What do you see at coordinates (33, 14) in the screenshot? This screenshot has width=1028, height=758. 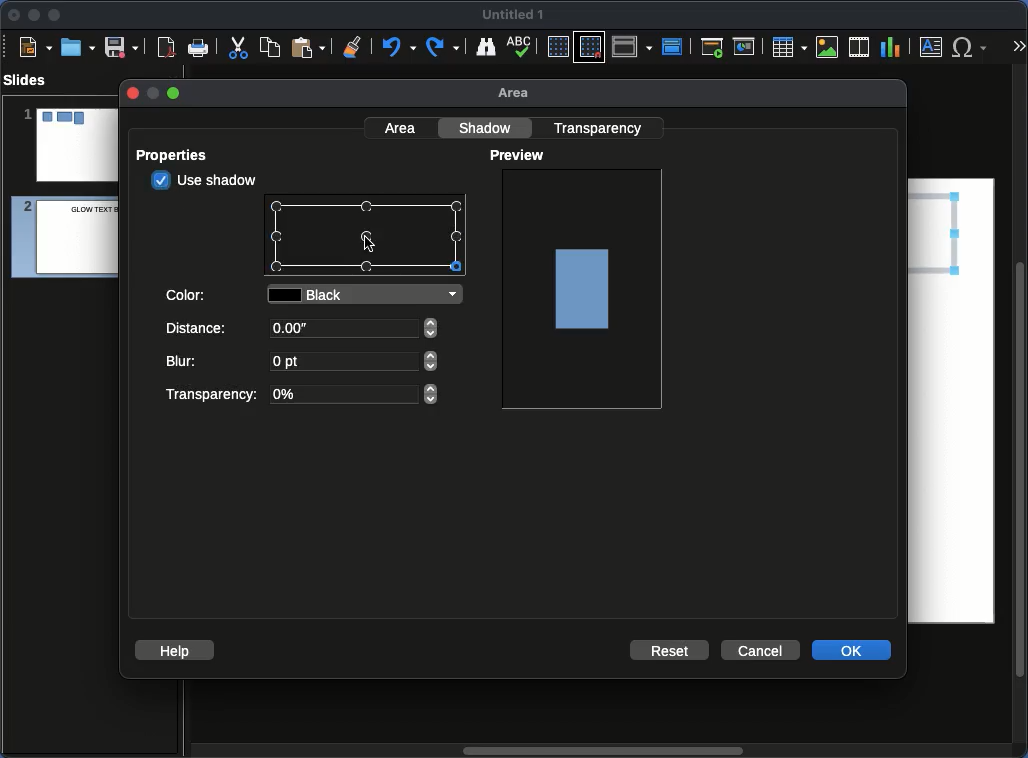 I see `Minimize` at bounding box center [33, 14].